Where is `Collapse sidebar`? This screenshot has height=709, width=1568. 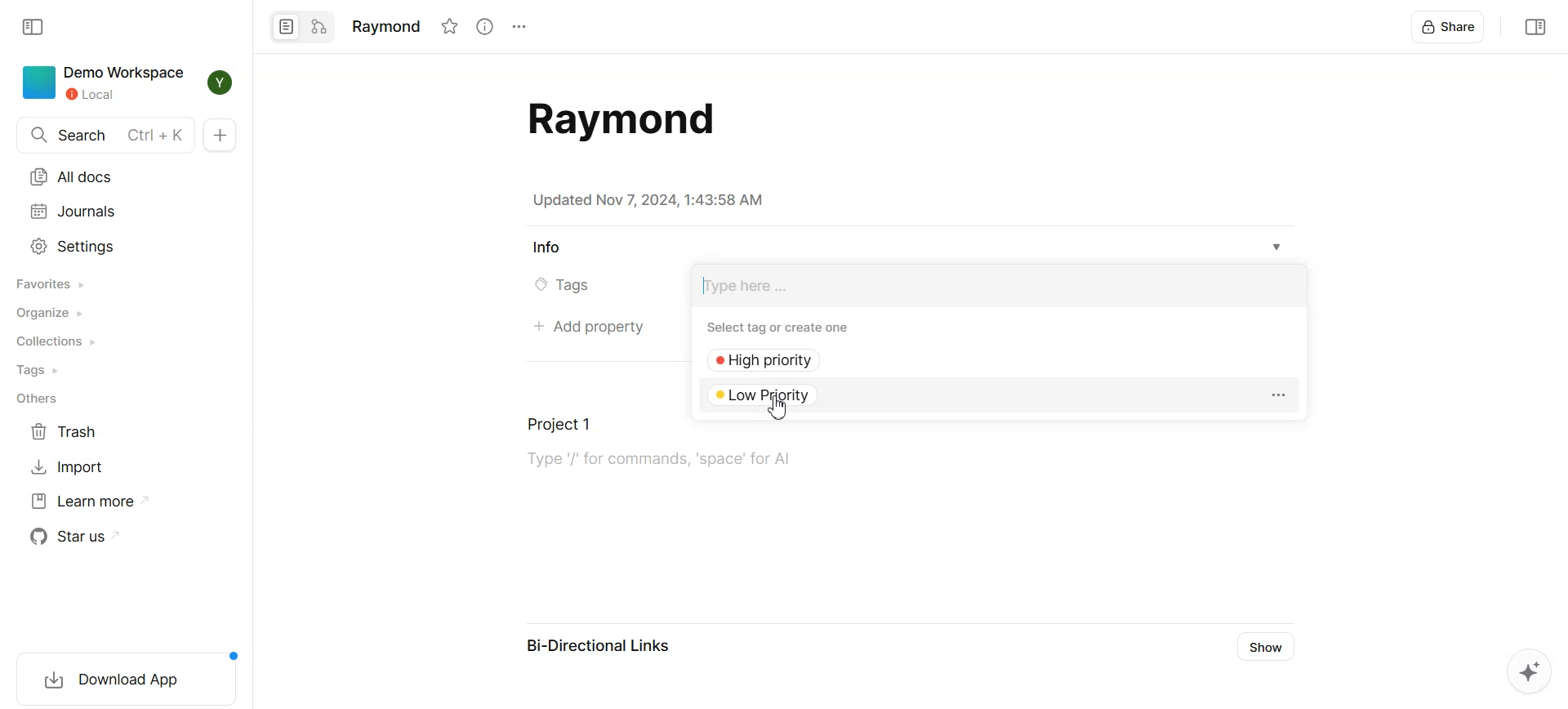
Collapse sidebar is located at coordinates (1533, 26).